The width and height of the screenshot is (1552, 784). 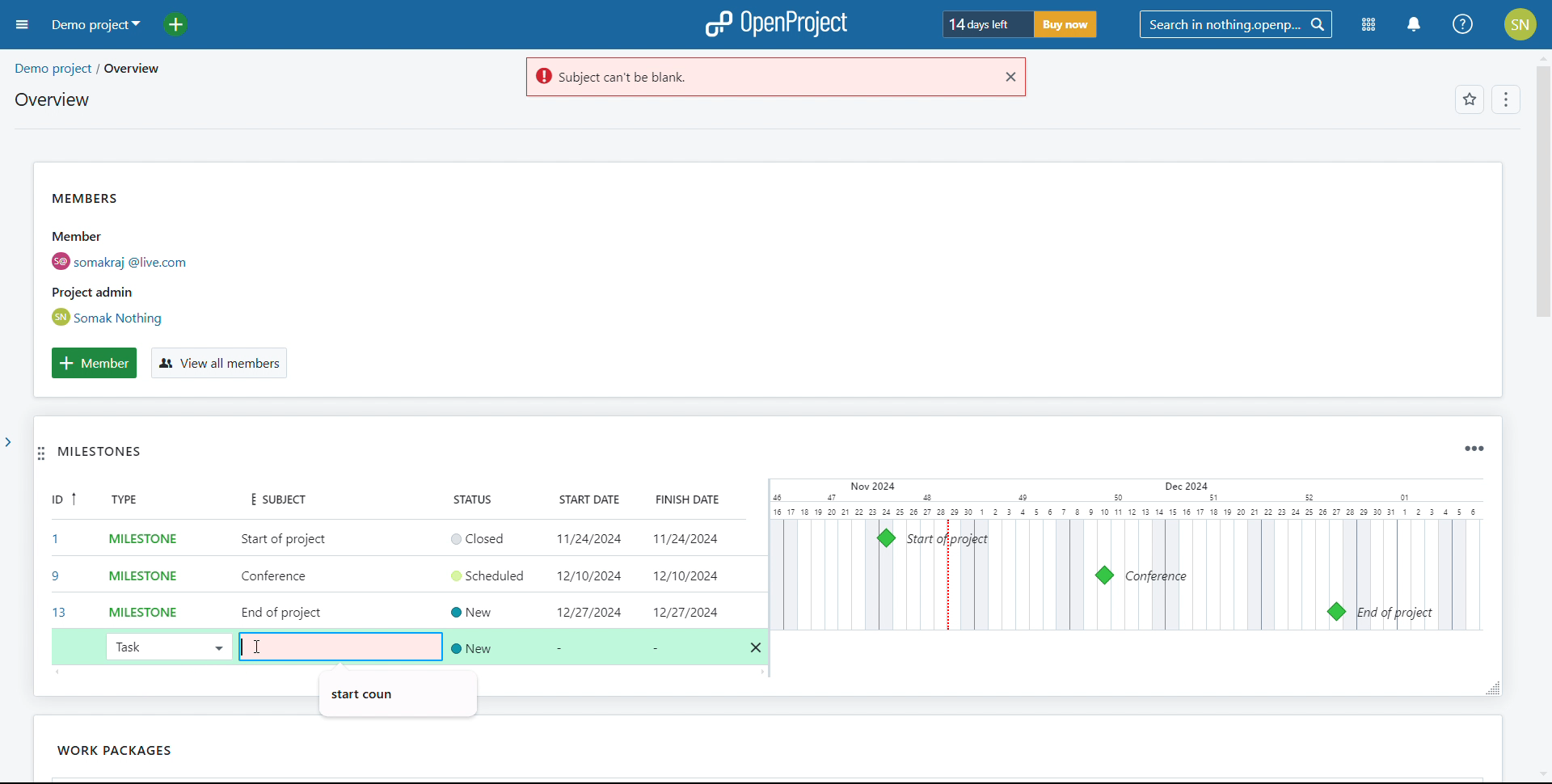 What do you see at coordinates (661, 575) in the screenshot?
I see `set start and end date` at bounding box center [661, 575].